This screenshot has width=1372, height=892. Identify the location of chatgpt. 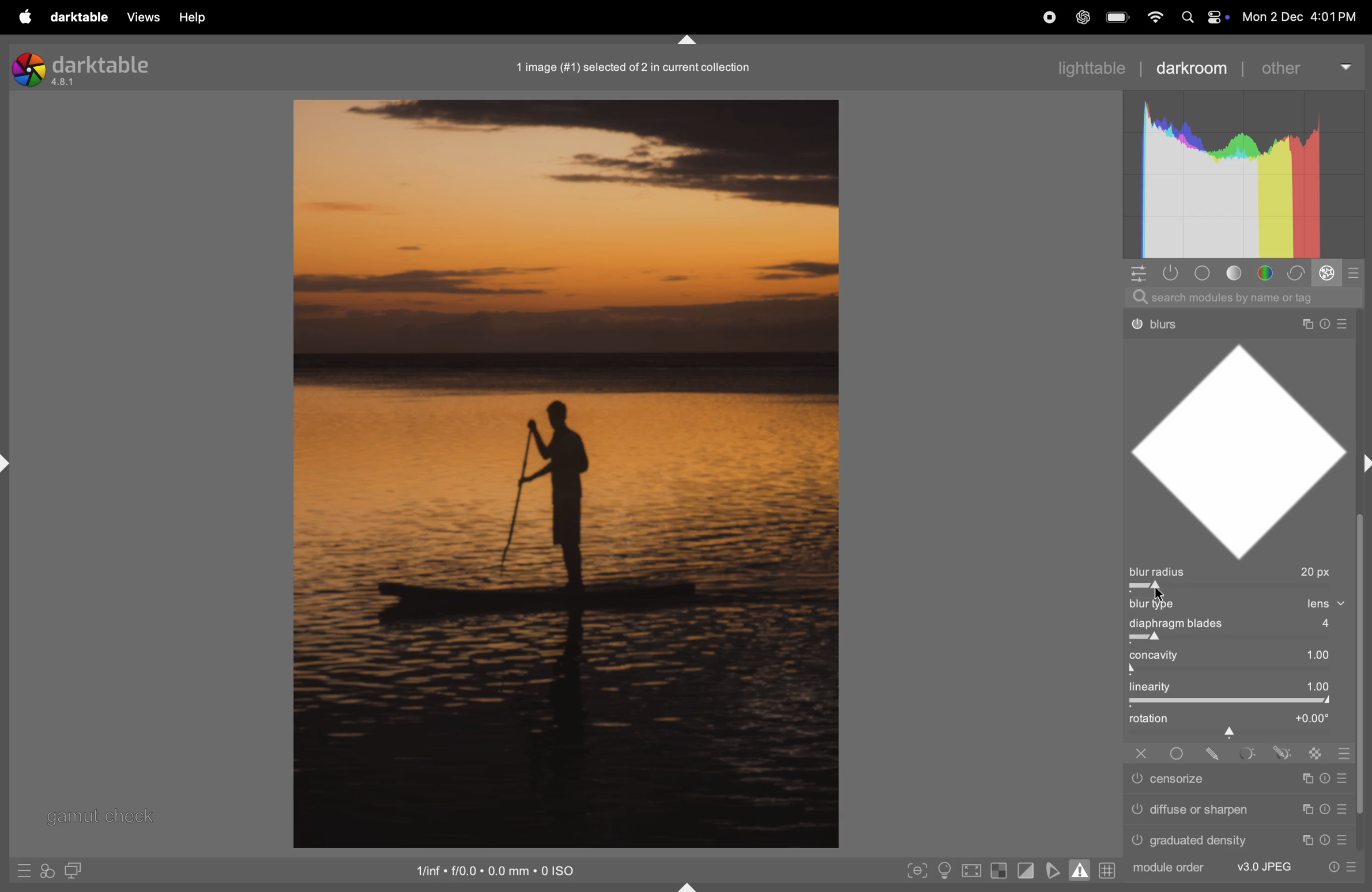
(1083, 16).